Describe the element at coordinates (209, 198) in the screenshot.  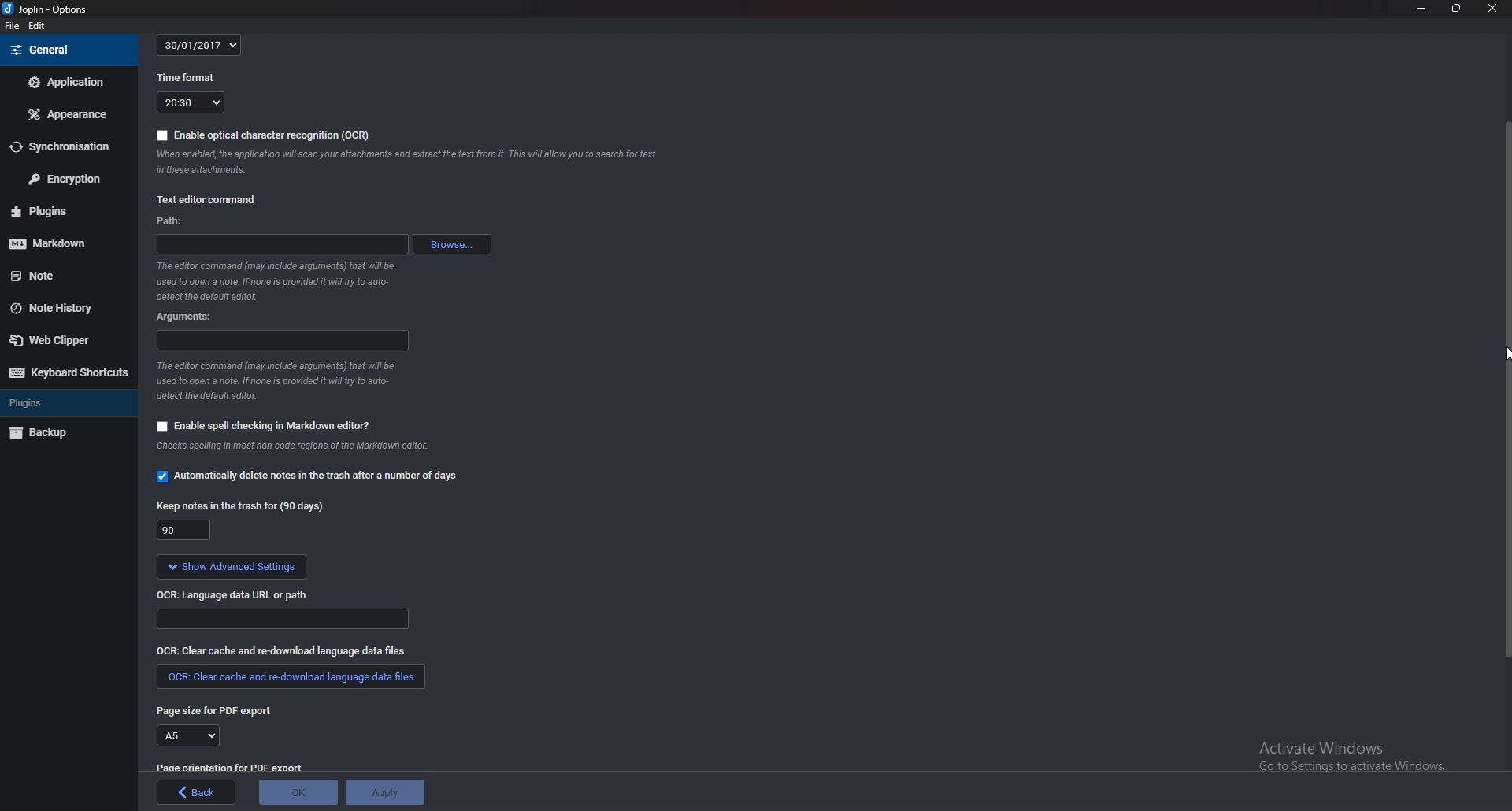
I see `Text editor command` at that location.